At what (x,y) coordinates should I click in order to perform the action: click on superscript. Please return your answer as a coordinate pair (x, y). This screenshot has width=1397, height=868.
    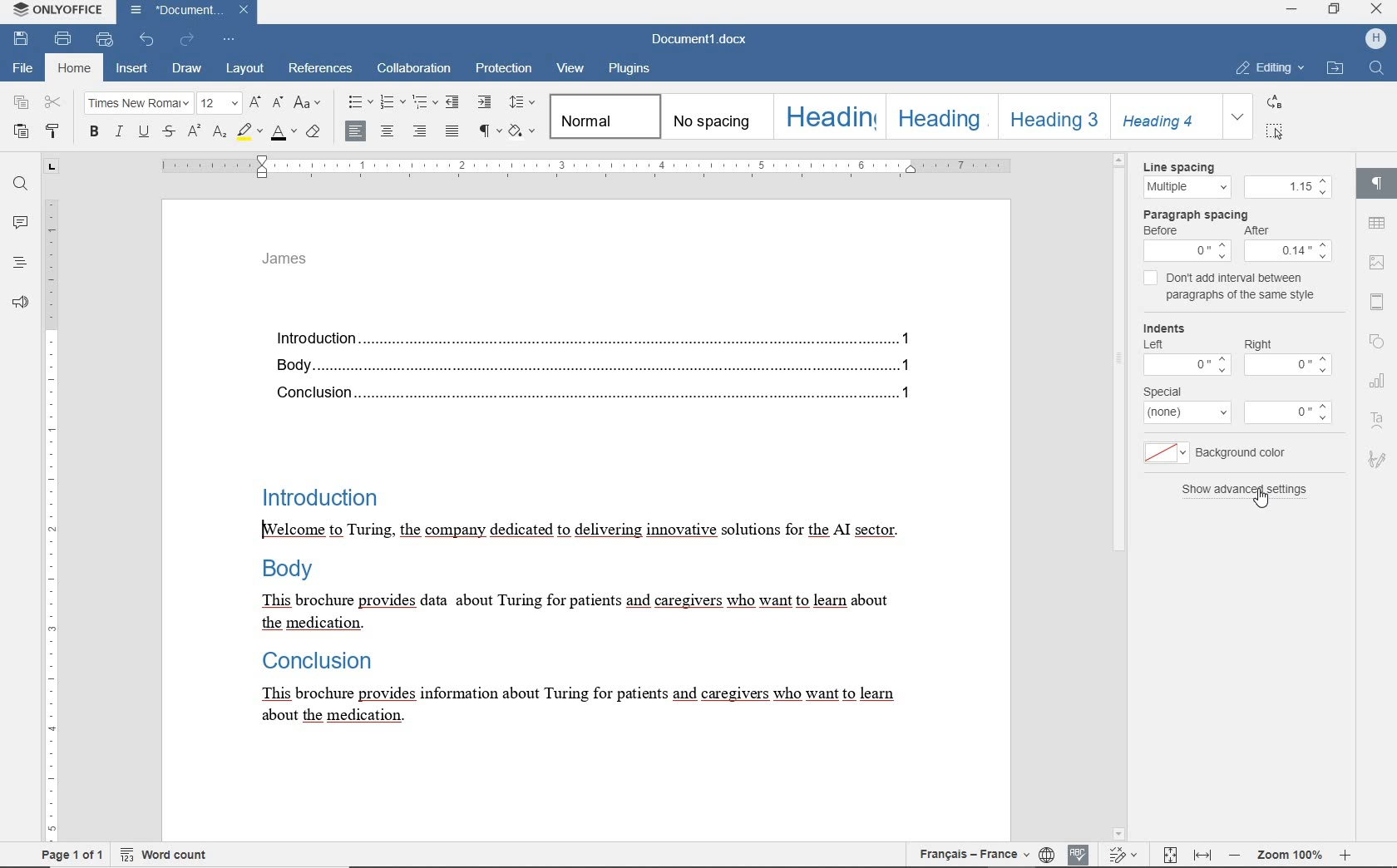
    Looking at the image, I should click on (195, 133).